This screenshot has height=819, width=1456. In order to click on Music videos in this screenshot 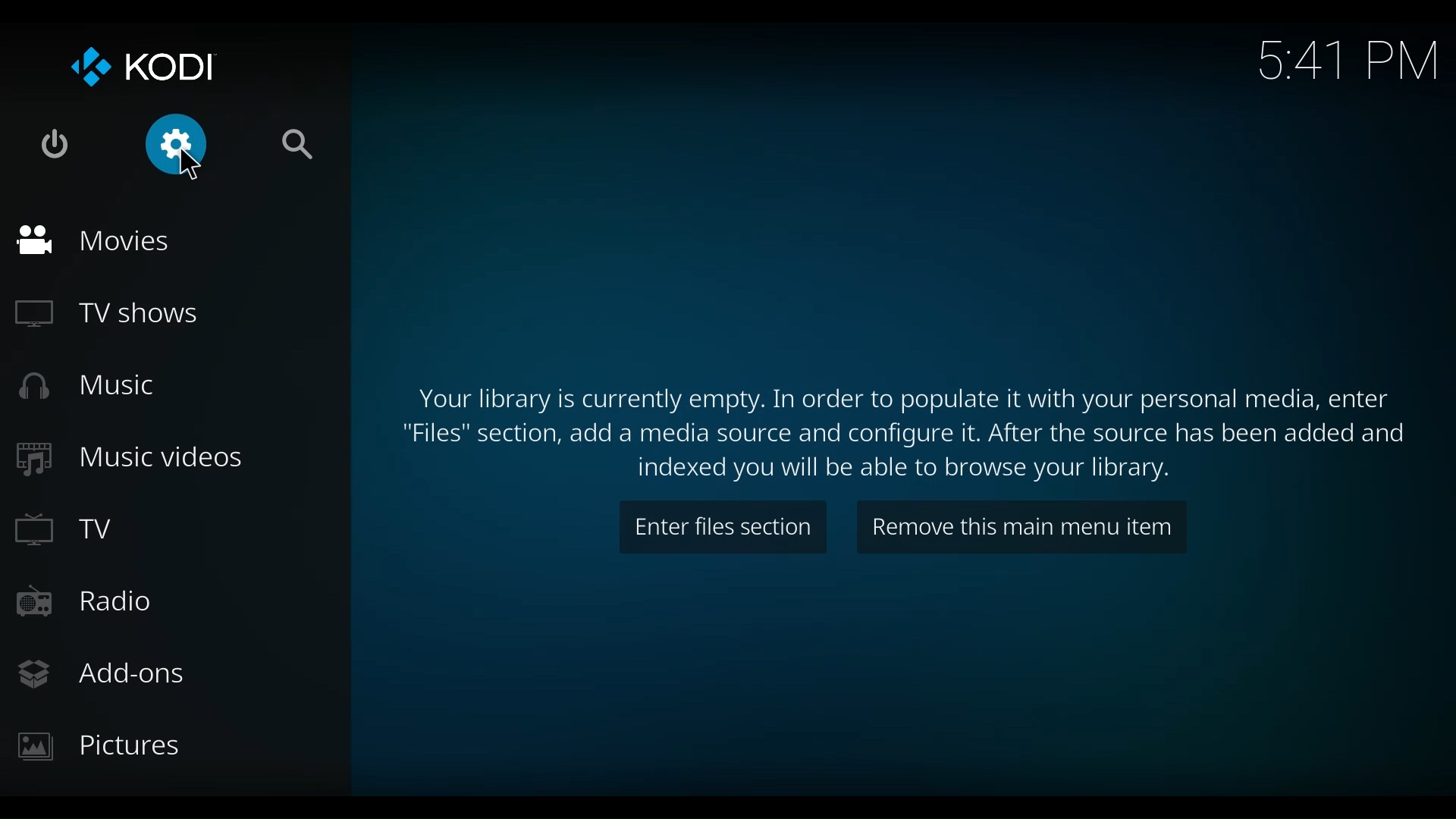, I will do `click(129, 459)`.